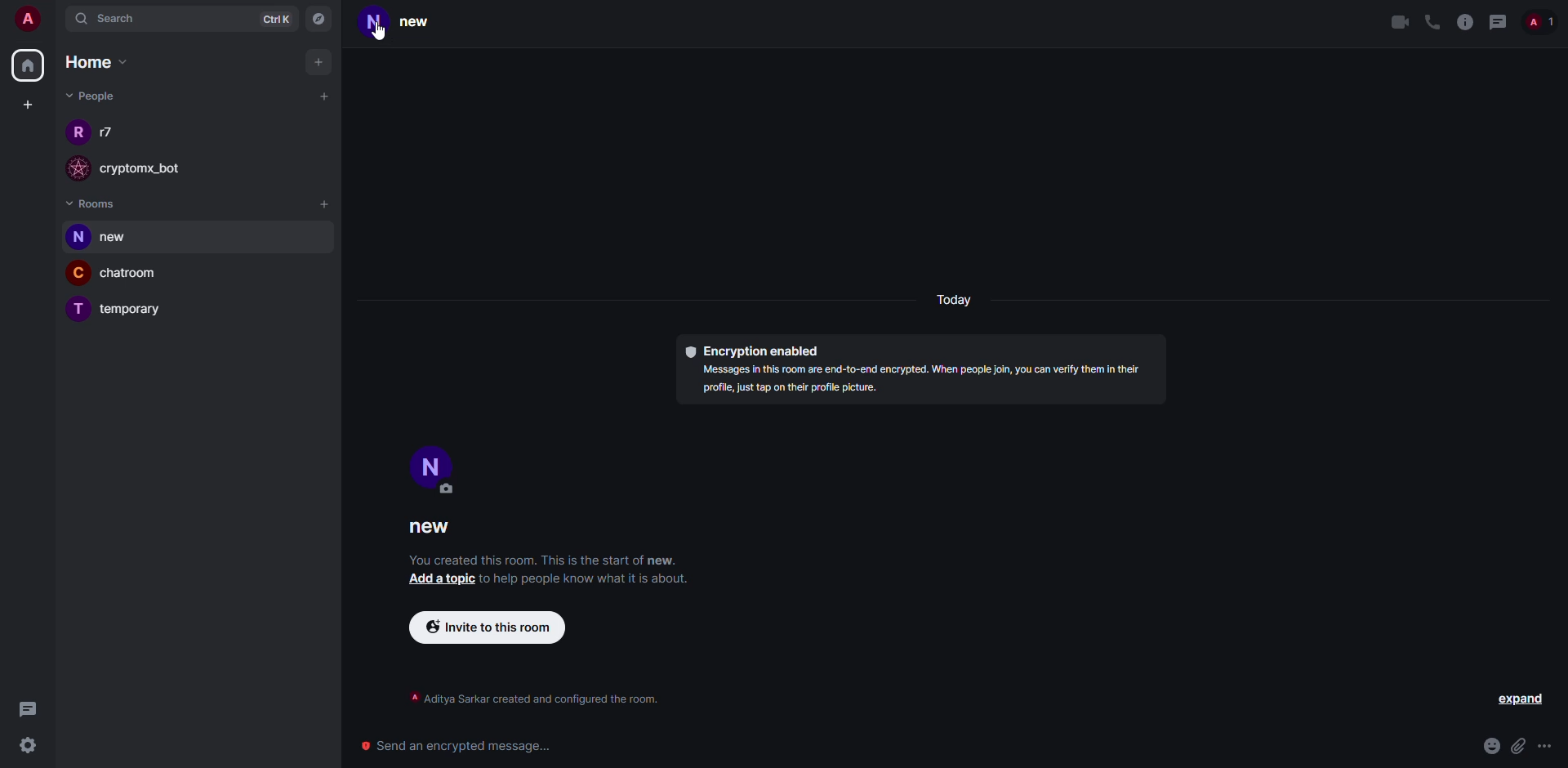  Describe the element at coordinates (590, 578) in the screenshot. I see `info` at that location.